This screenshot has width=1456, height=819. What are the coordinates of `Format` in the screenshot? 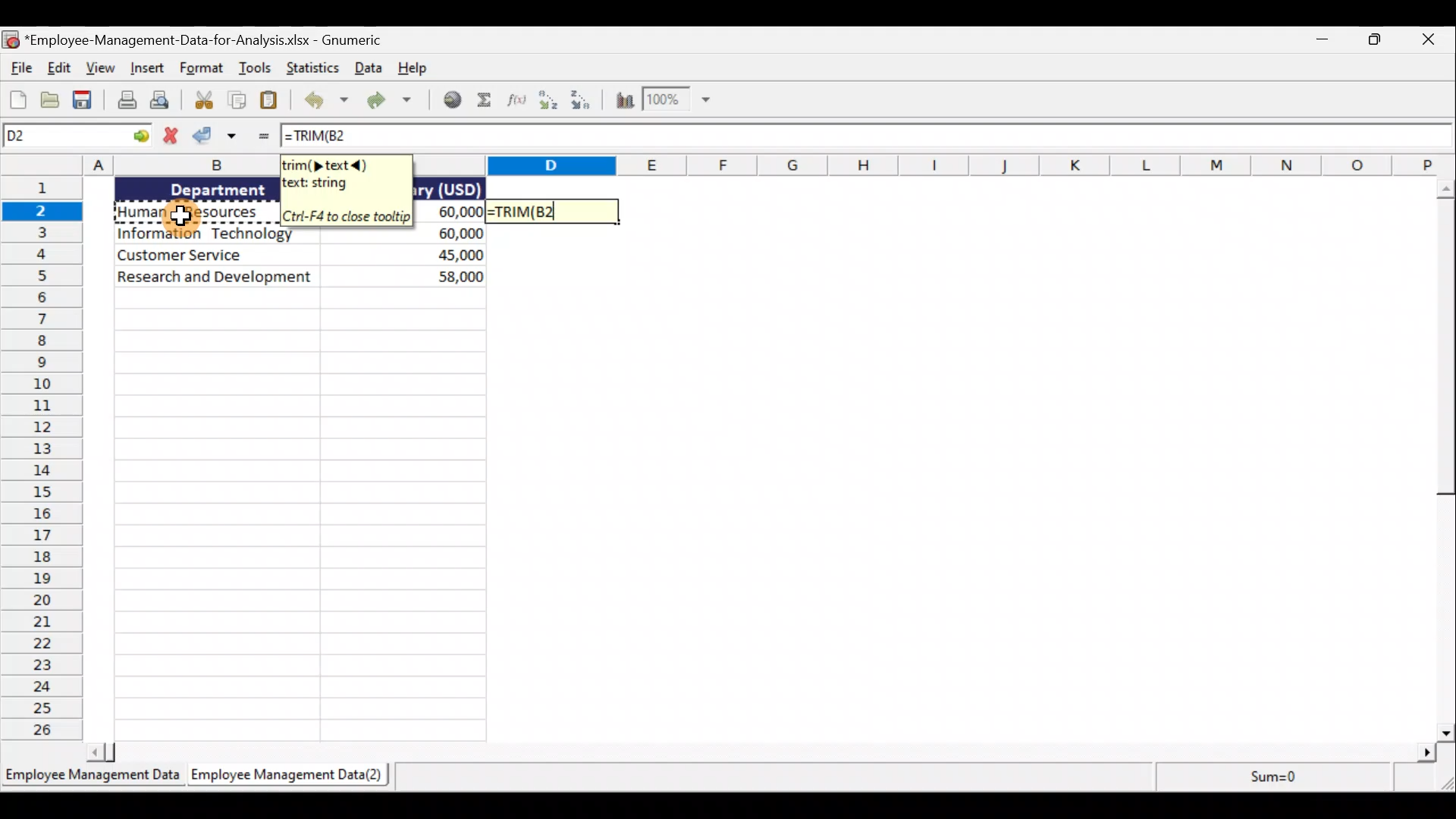 It's located at (201, 68).